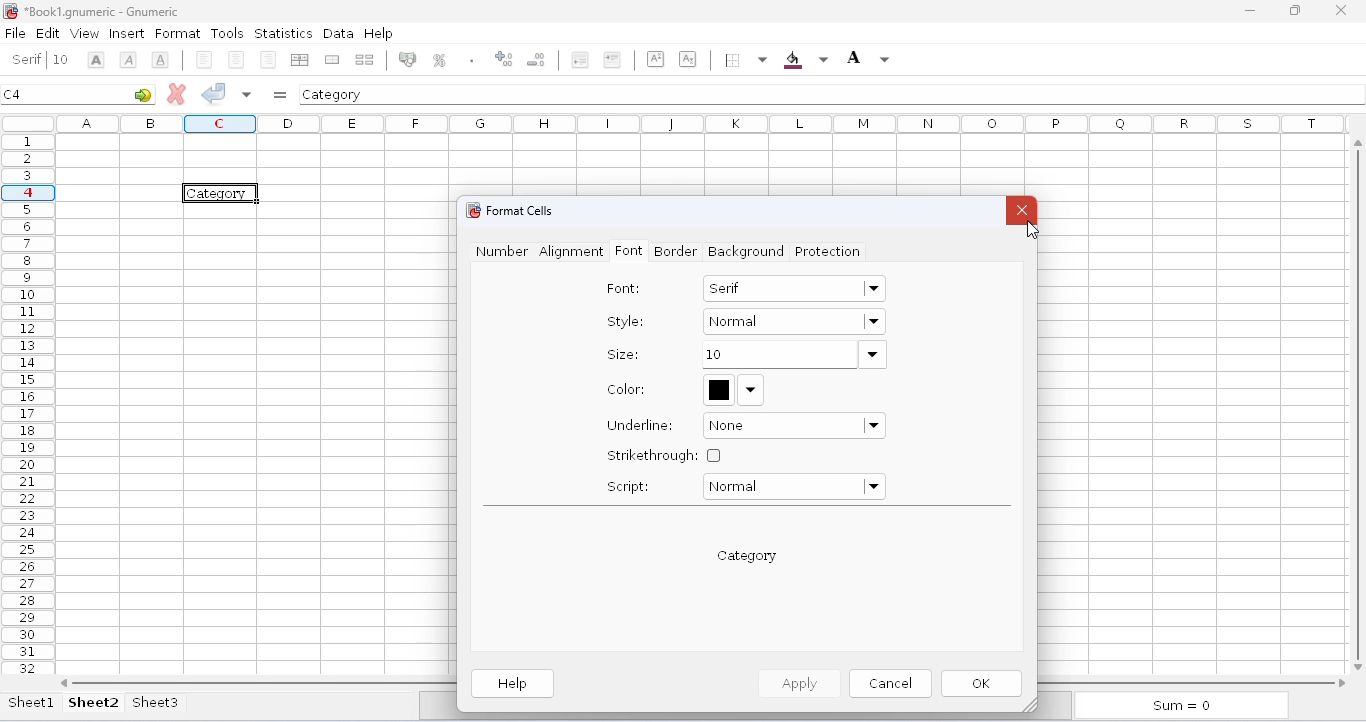  Describe the element at coordinates (280, 95) in the screenshot. I see `enter formula` at that location.